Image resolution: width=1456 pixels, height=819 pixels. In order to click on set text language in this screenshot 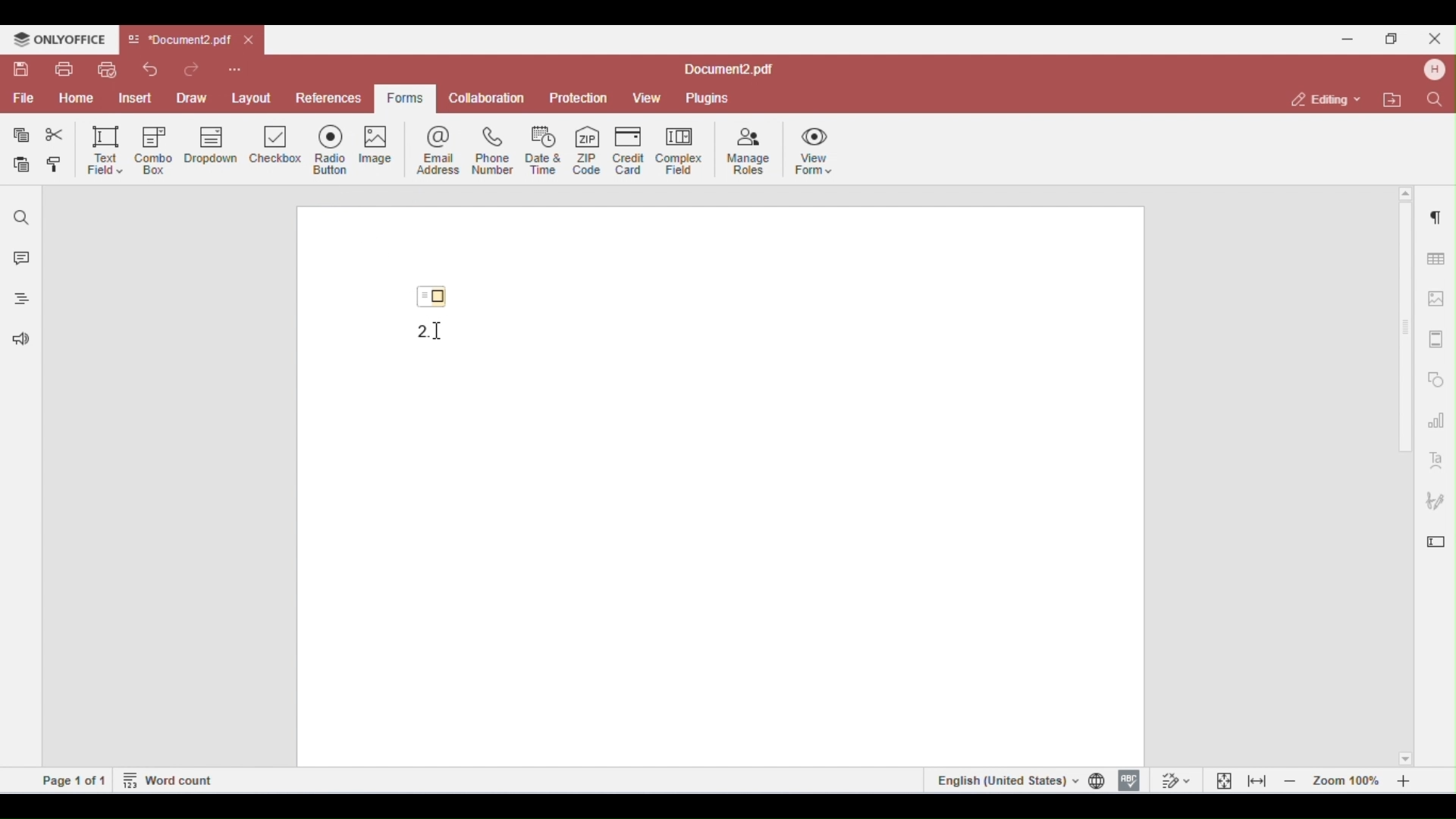, I will do `click(1005, 780)`.